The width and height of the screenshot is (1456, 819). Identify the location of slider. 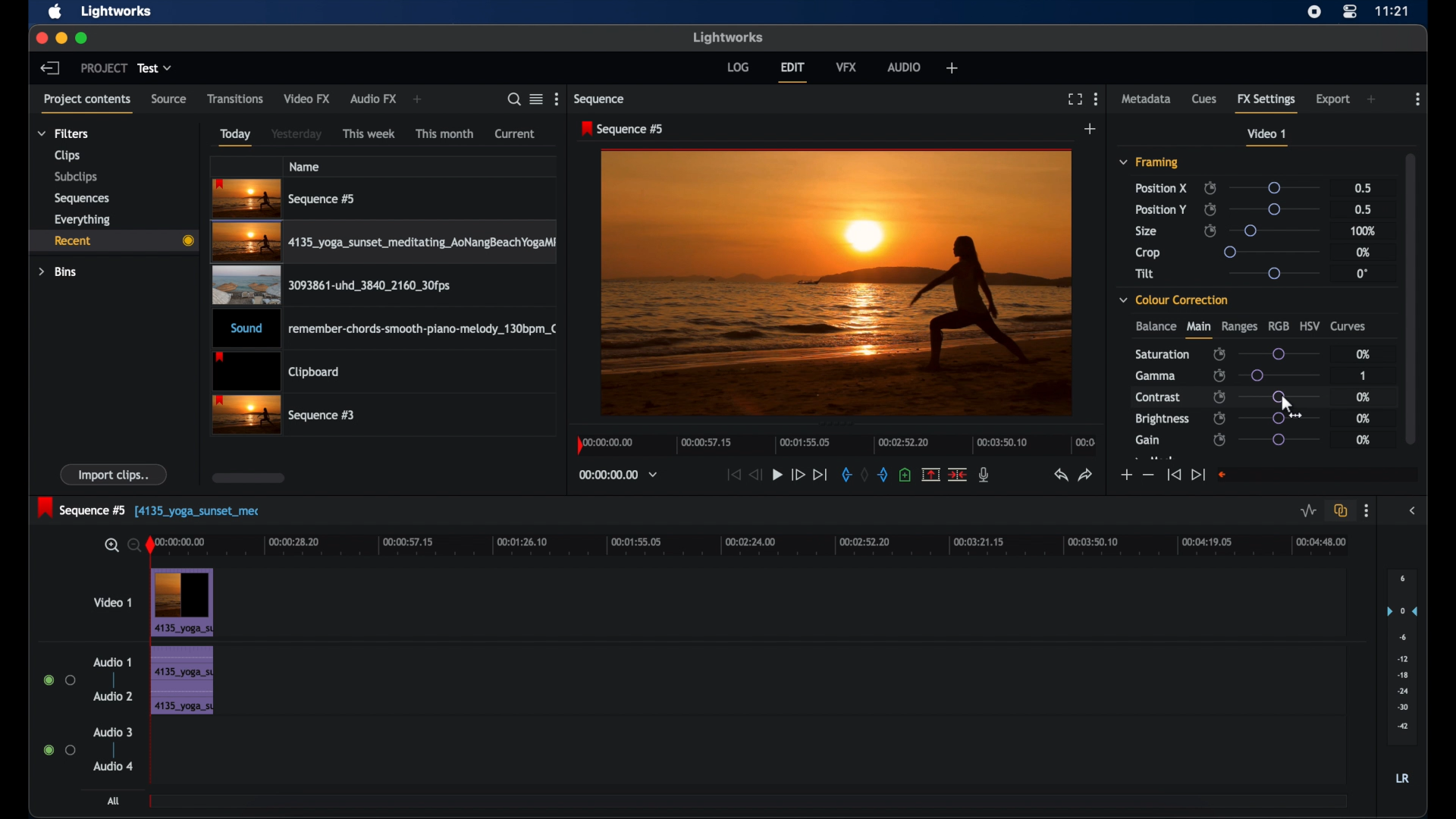
(1272, 273).